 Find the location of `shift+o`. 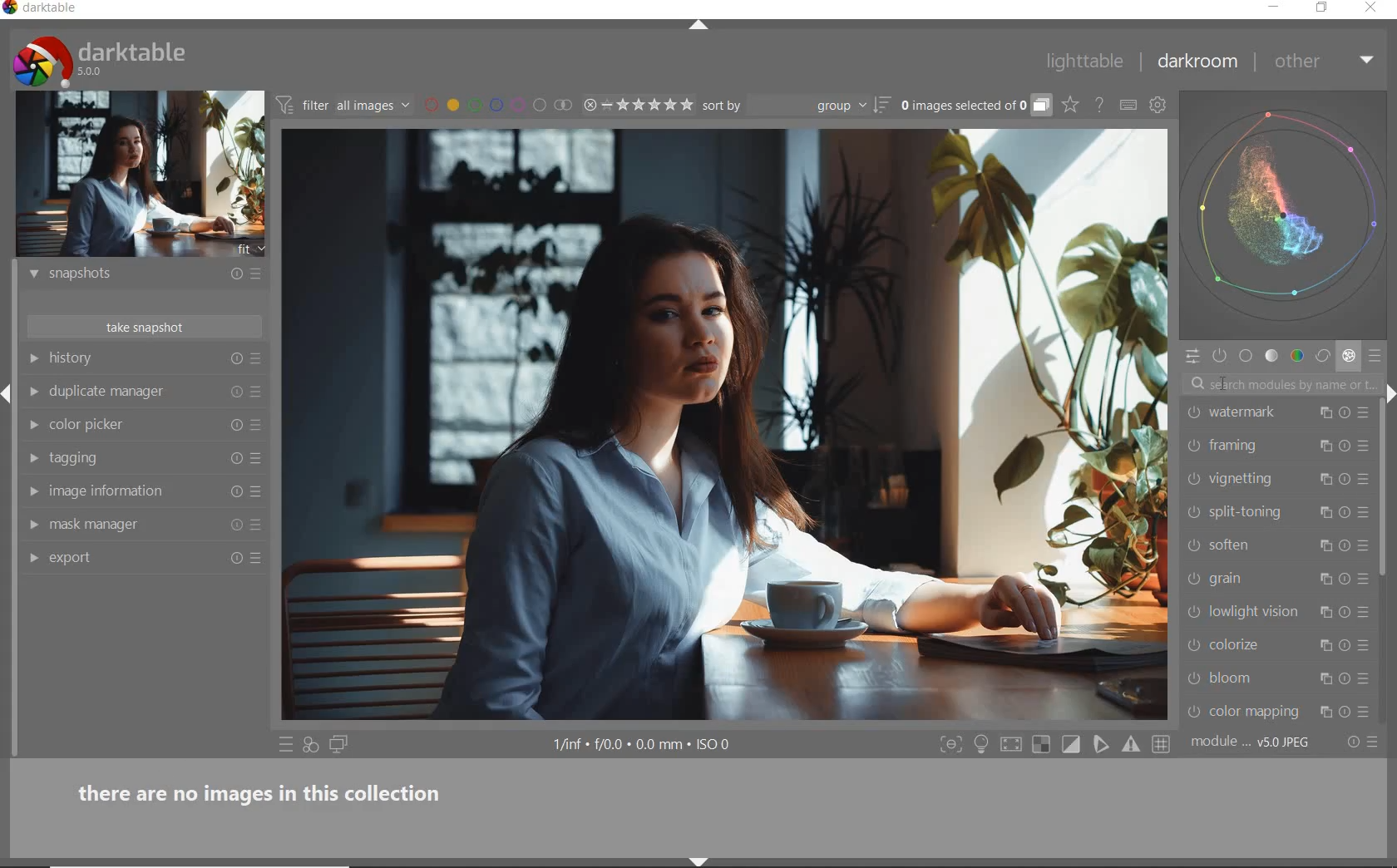

shift+o is located at coordinates (1040, 746).